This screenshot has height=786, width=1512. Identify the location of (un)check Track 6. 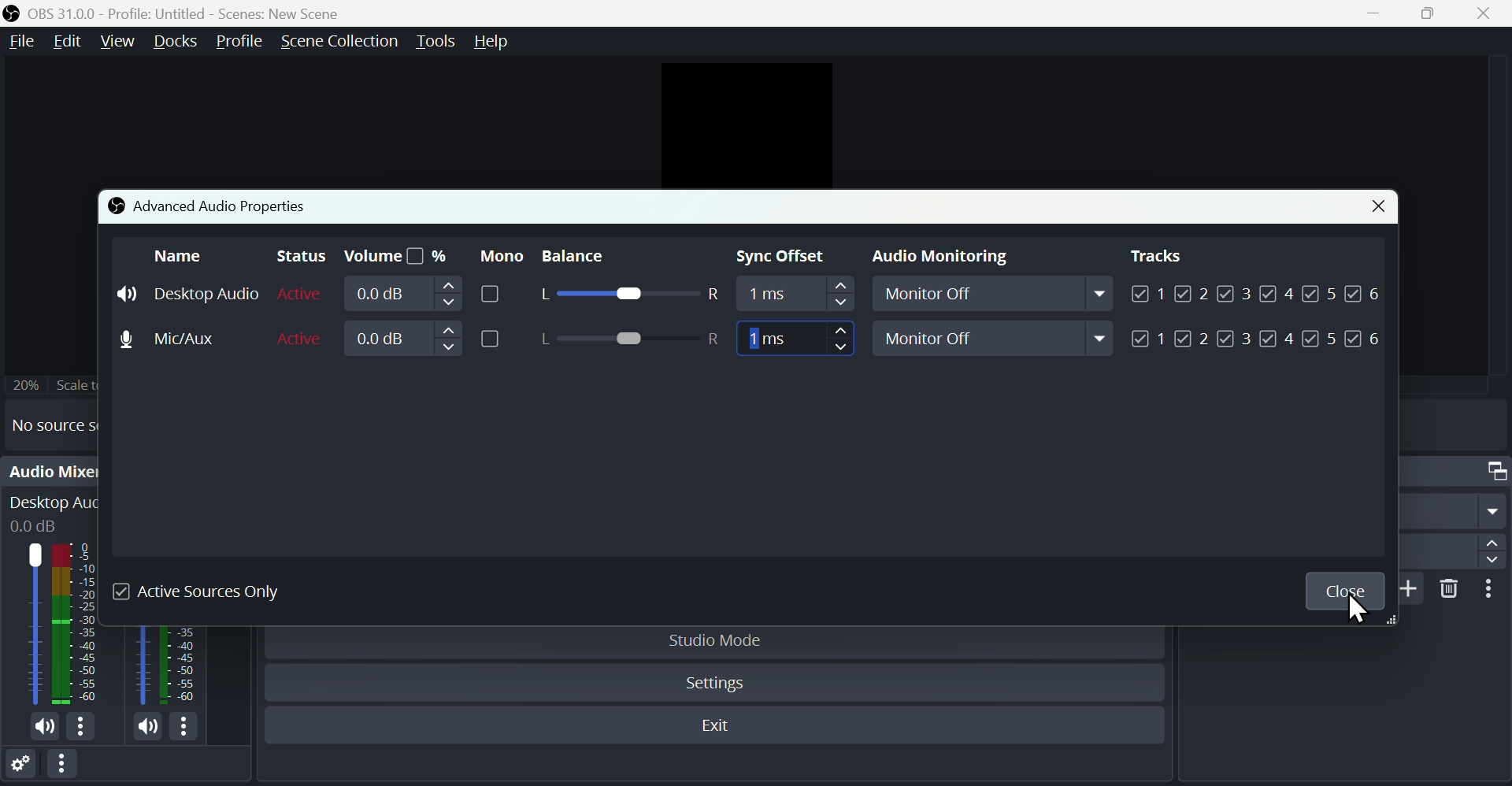
(1364, 339).